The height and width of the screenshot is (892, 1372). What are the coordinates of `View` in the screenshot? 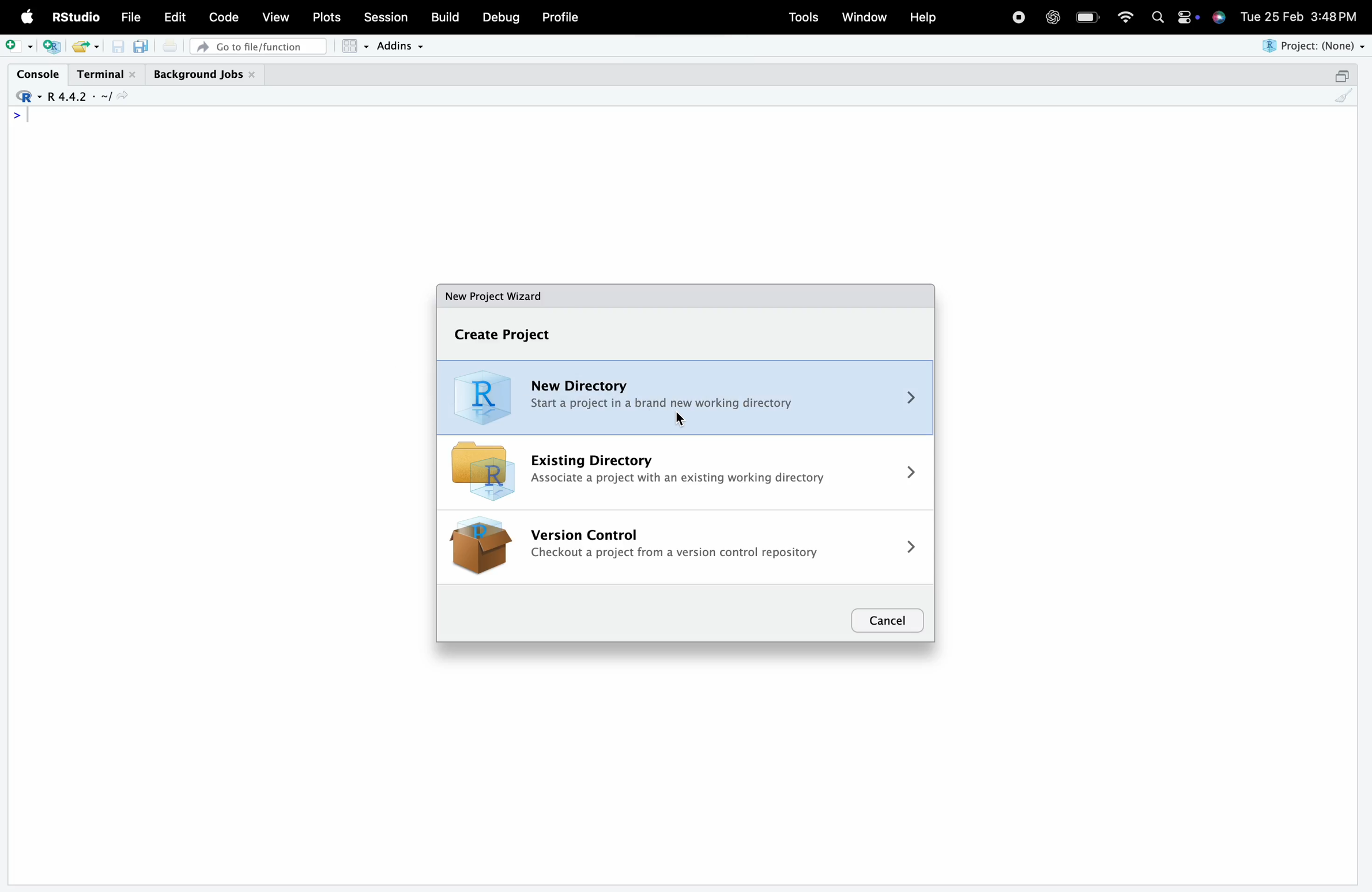 It's located at (276, 16).